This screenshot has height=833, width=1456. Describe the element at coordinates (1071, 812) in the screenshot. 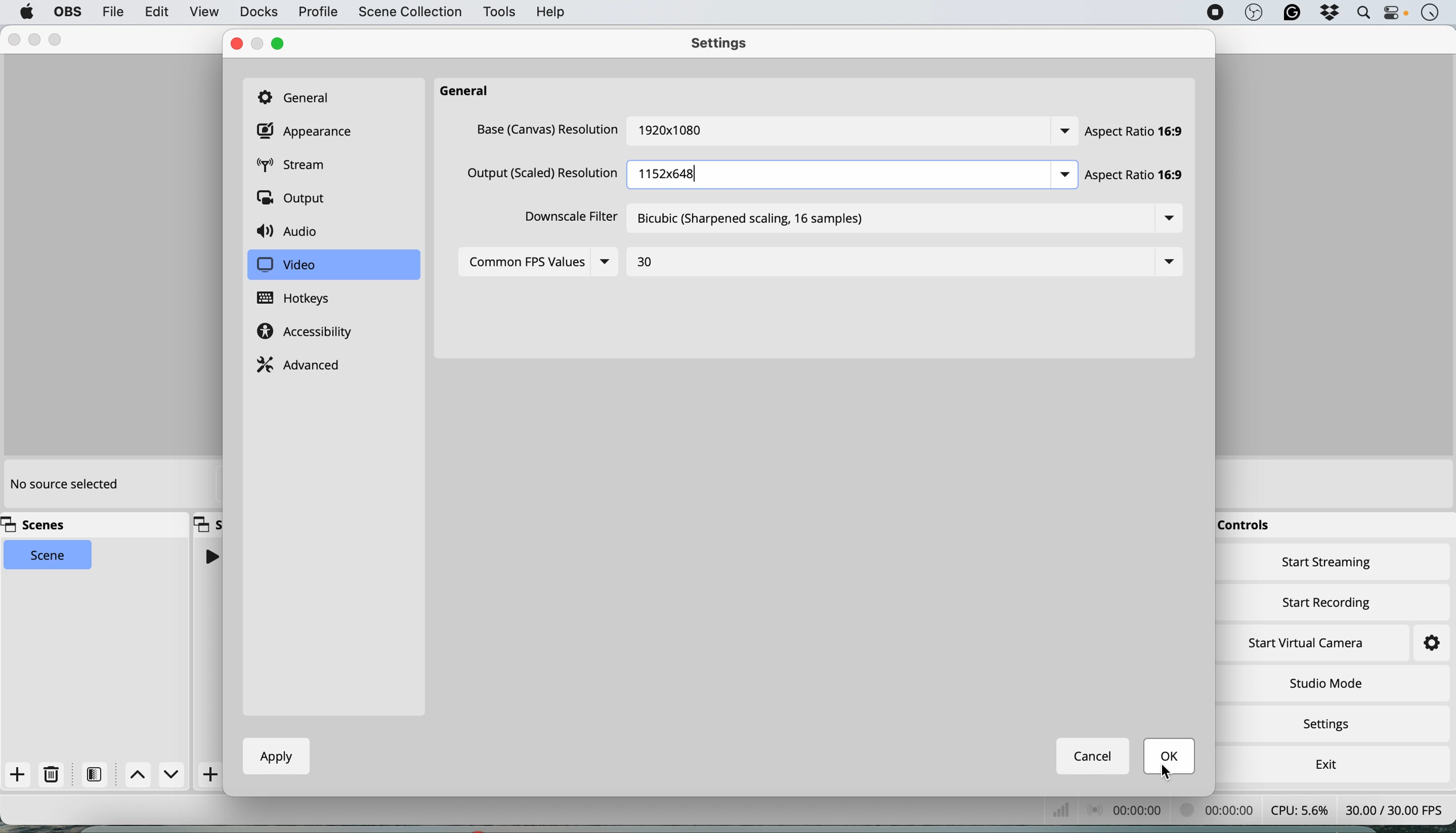

I see `cpu usage` at that location.